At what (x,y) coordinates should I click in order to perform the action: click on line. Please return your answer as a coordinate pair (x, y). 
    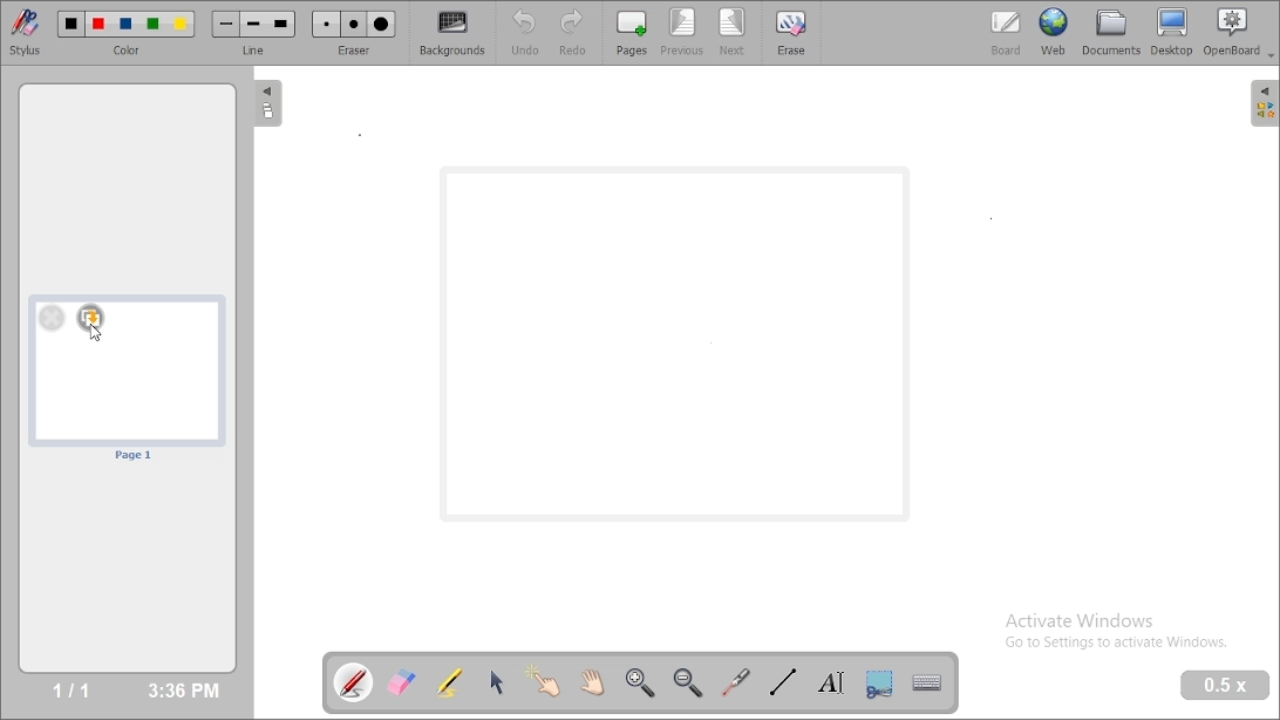
    Looking at the image, I should click on (256, 50).